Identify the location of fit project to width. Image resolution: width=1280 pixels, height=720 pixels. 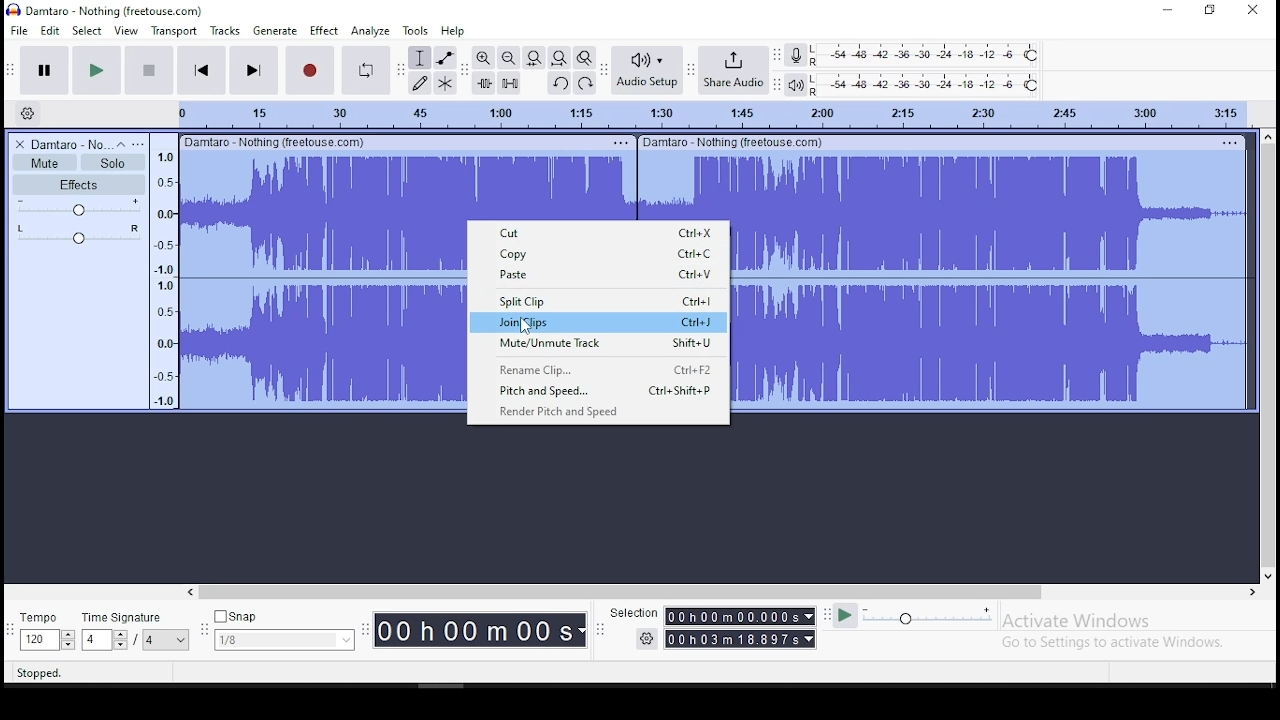
(559, 58).